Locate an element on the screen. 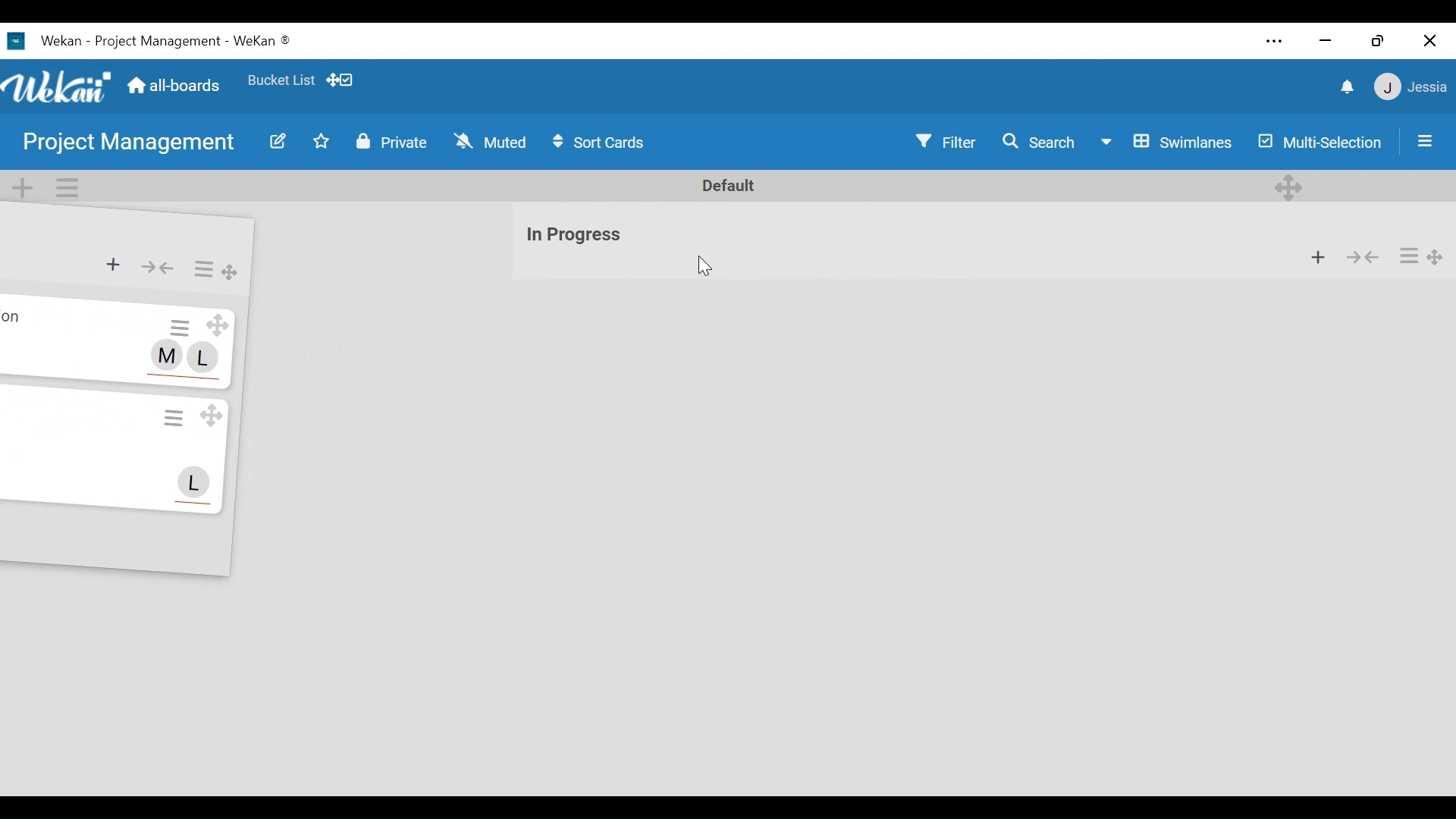 Image resolution: width=1456 pixels, height=819 pixels. Drag Card is located at coordinates (209, 415).